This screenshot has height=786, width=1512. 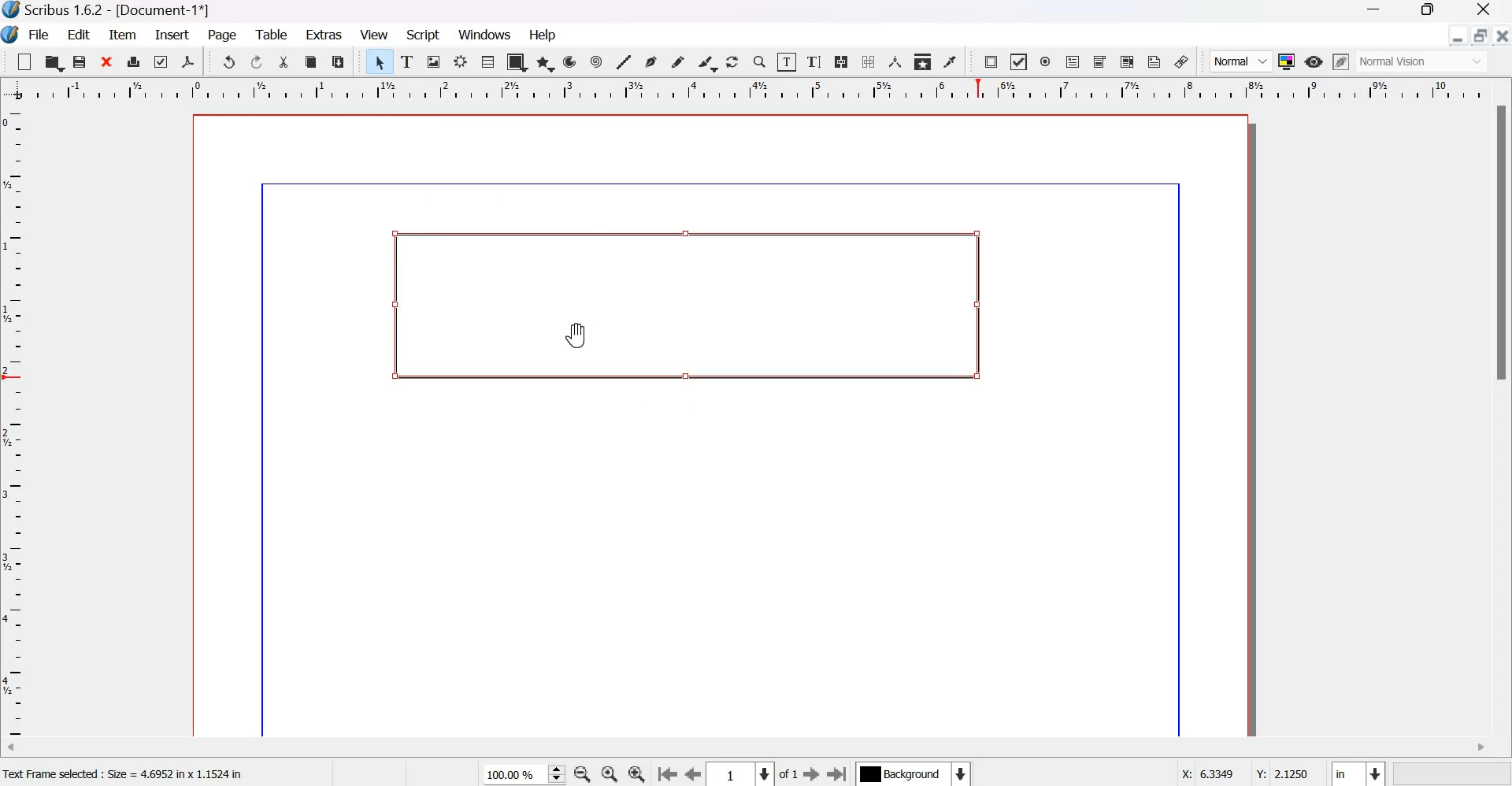 What do you see at coordinates (408, 59) in the screenshot?
I see `text frame` at bounding box center [408, 59].